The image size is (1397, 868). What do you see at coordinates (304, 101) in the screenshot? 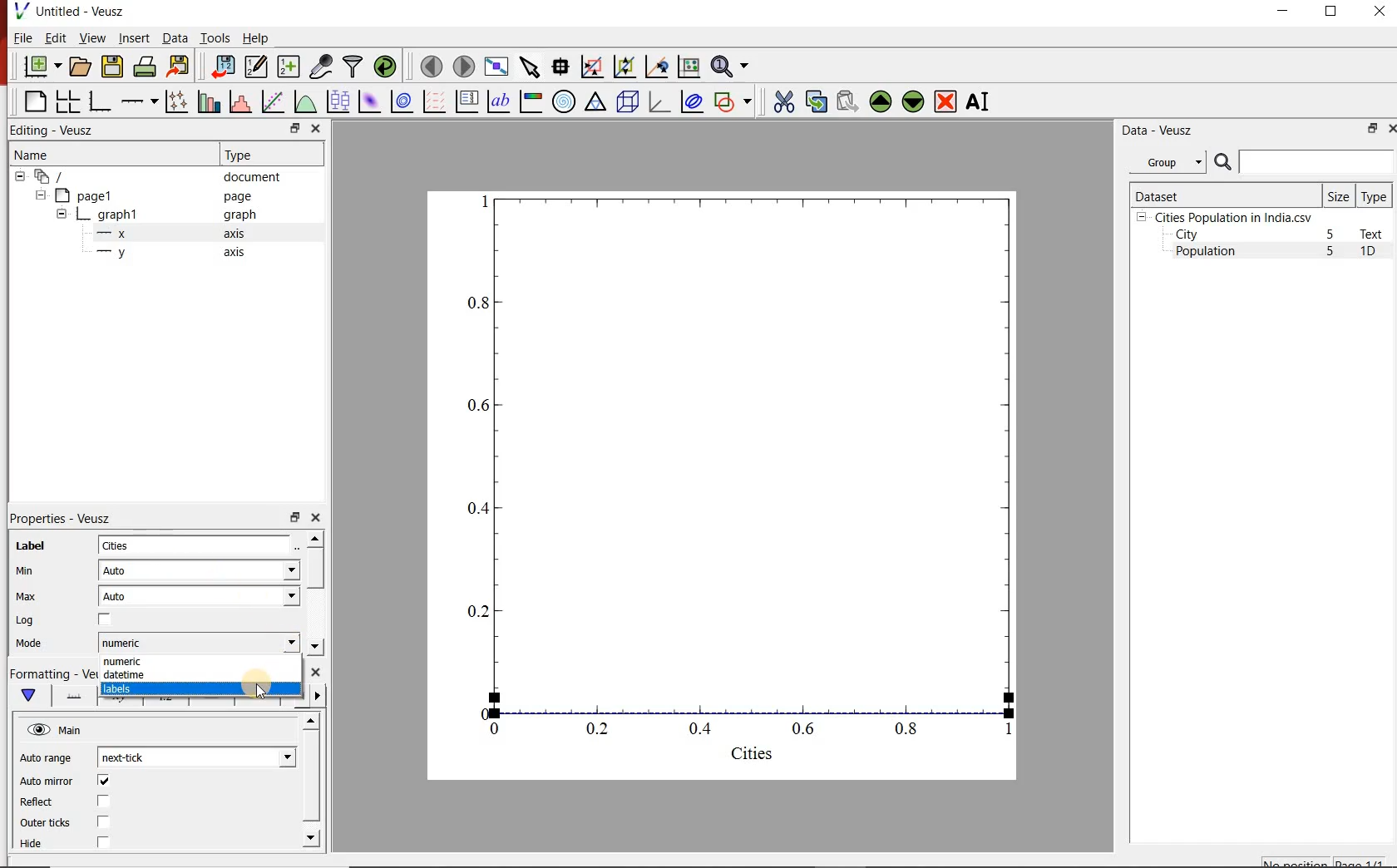
I see `plot a function` at bounding box center [304, 101].